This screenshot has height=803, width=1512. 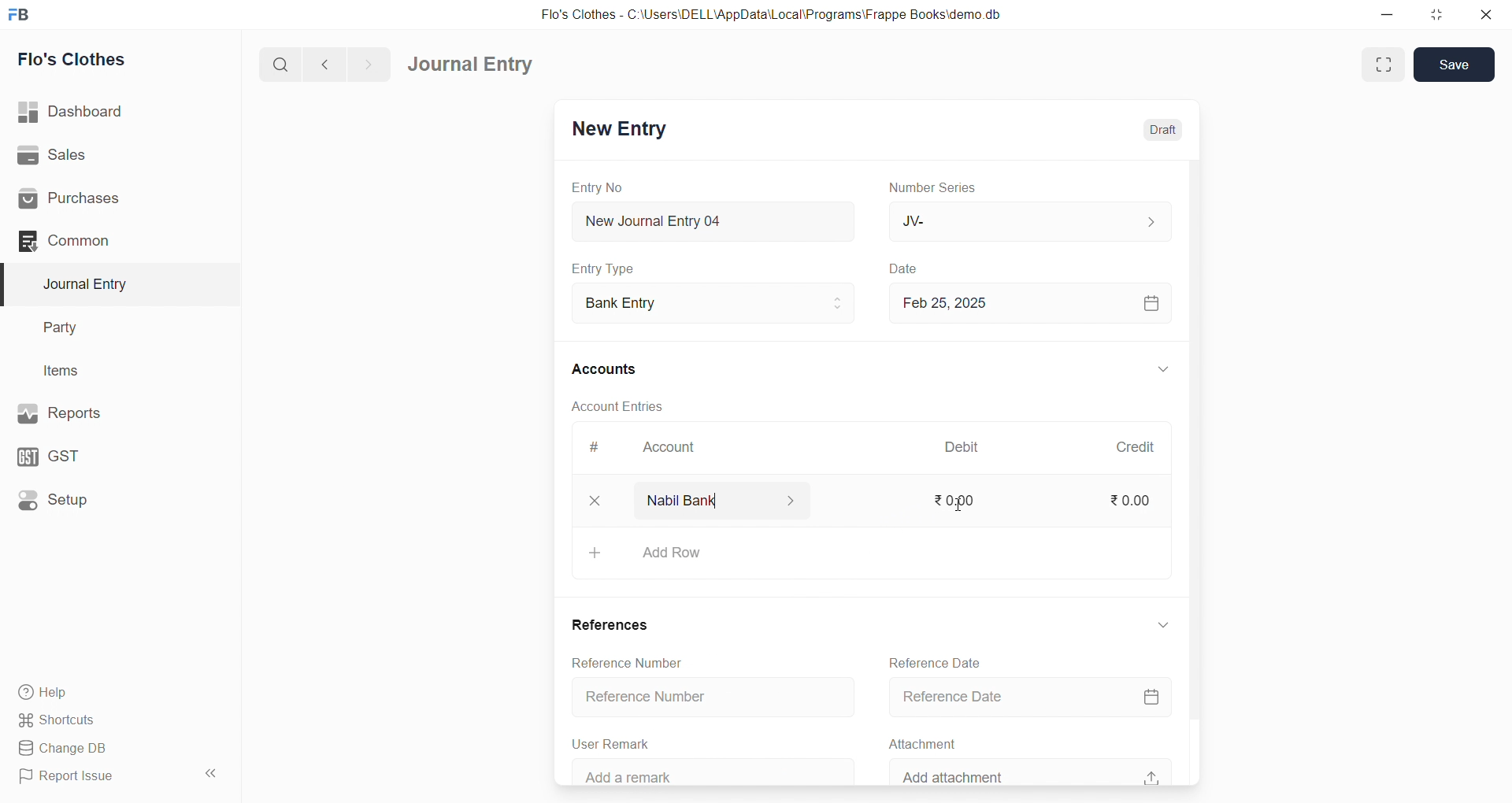 What do you see at coordinates (112, 284) in the screenshot?
I see `Journal Entry` at bounding box center [112, 284].